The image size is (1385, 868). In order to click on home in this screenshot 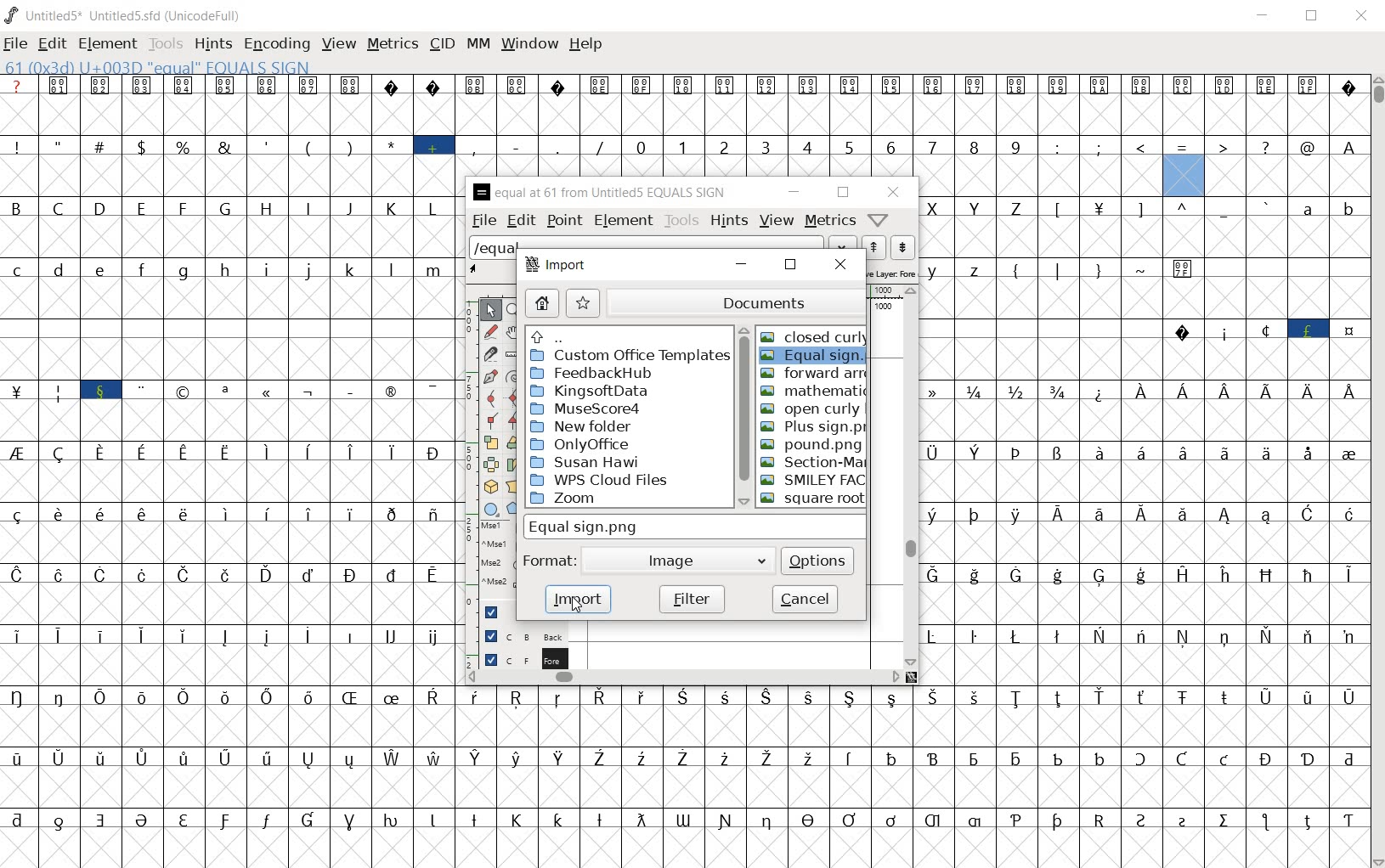, I will do `click(540, 303)`.